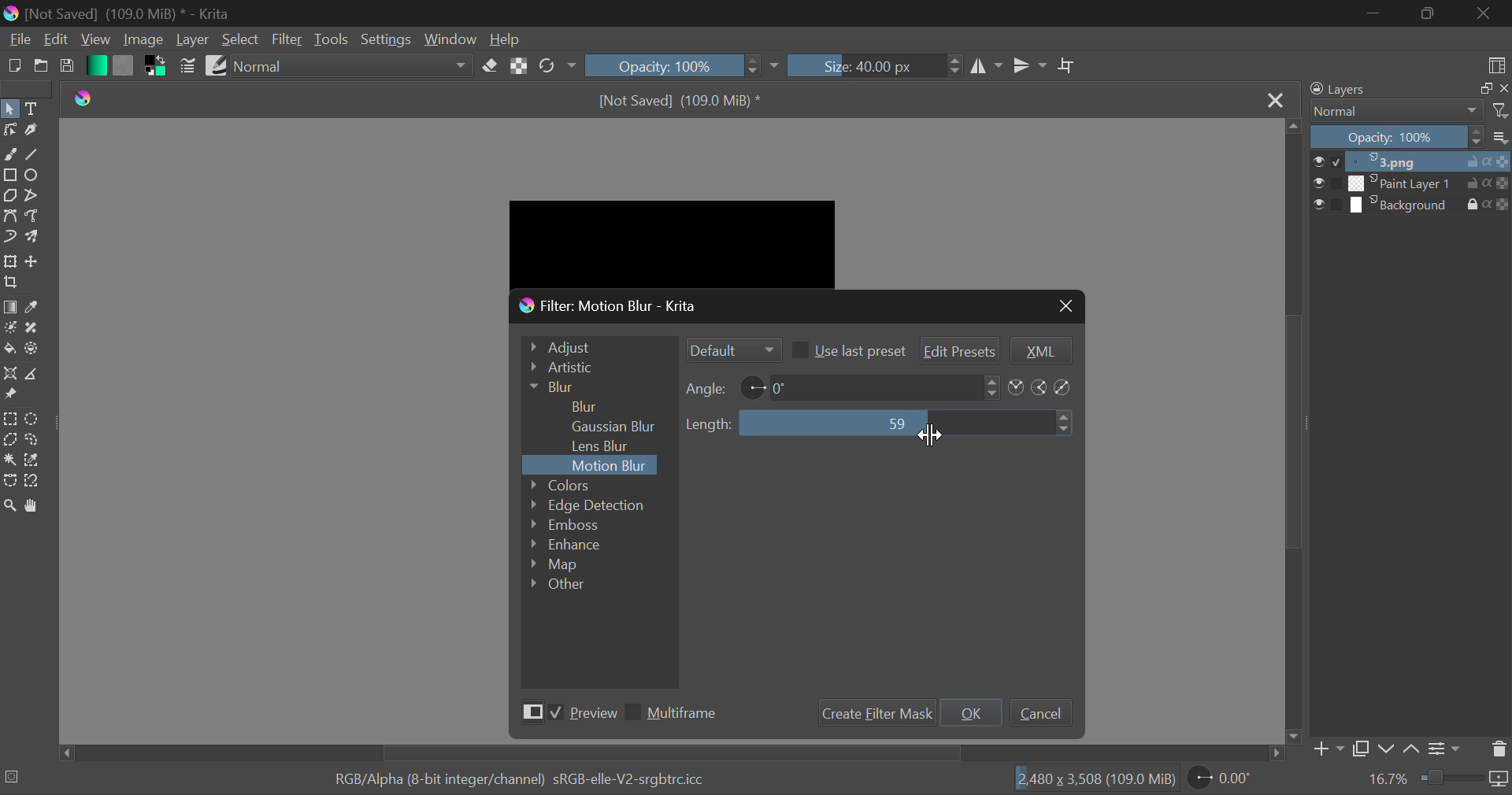  I want to click on Brush Settings, so click(189, 66).